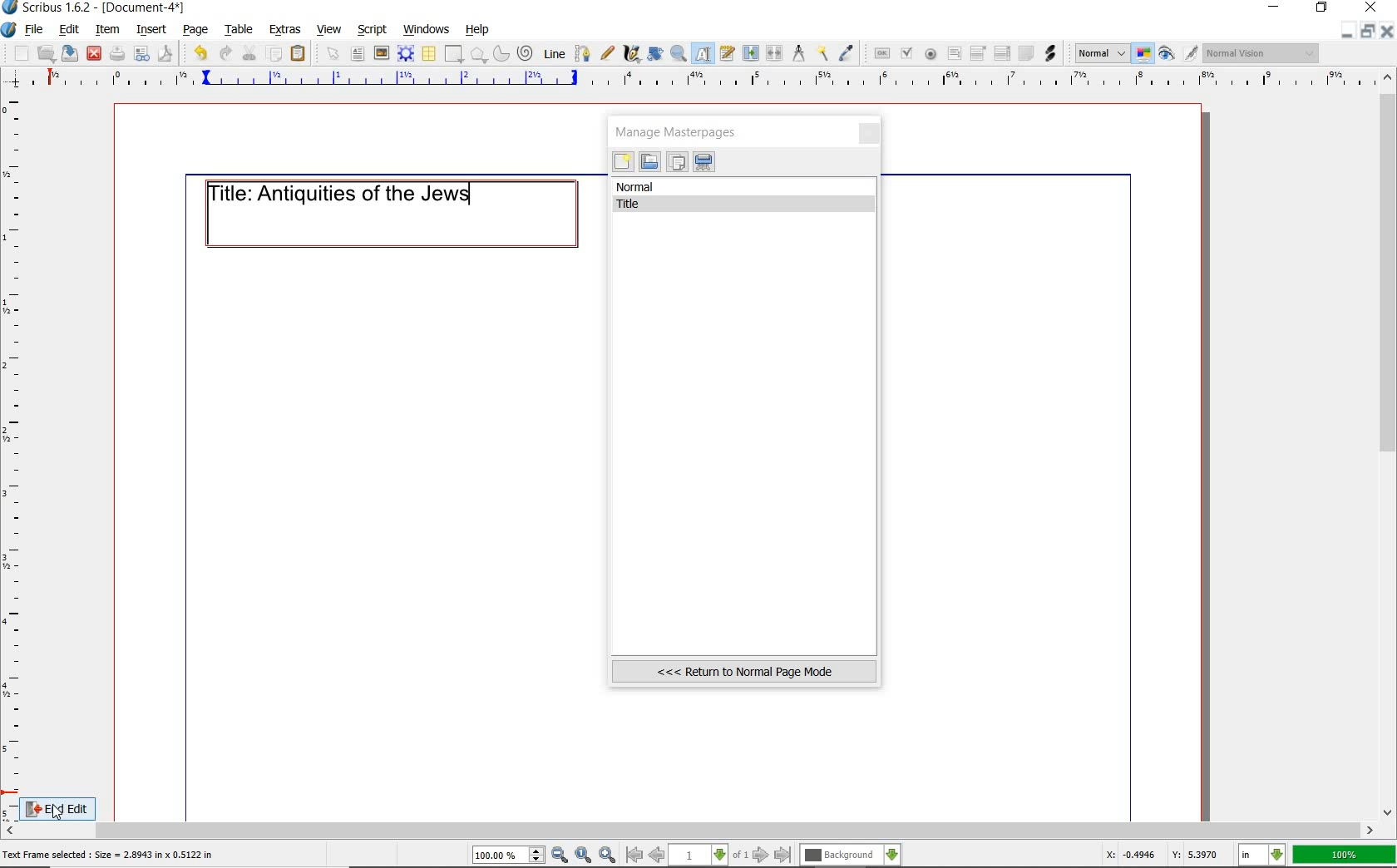  What do you see at coordinates (623, 164) in the screenshot?
I see `new` at bounding box center [623, 164].